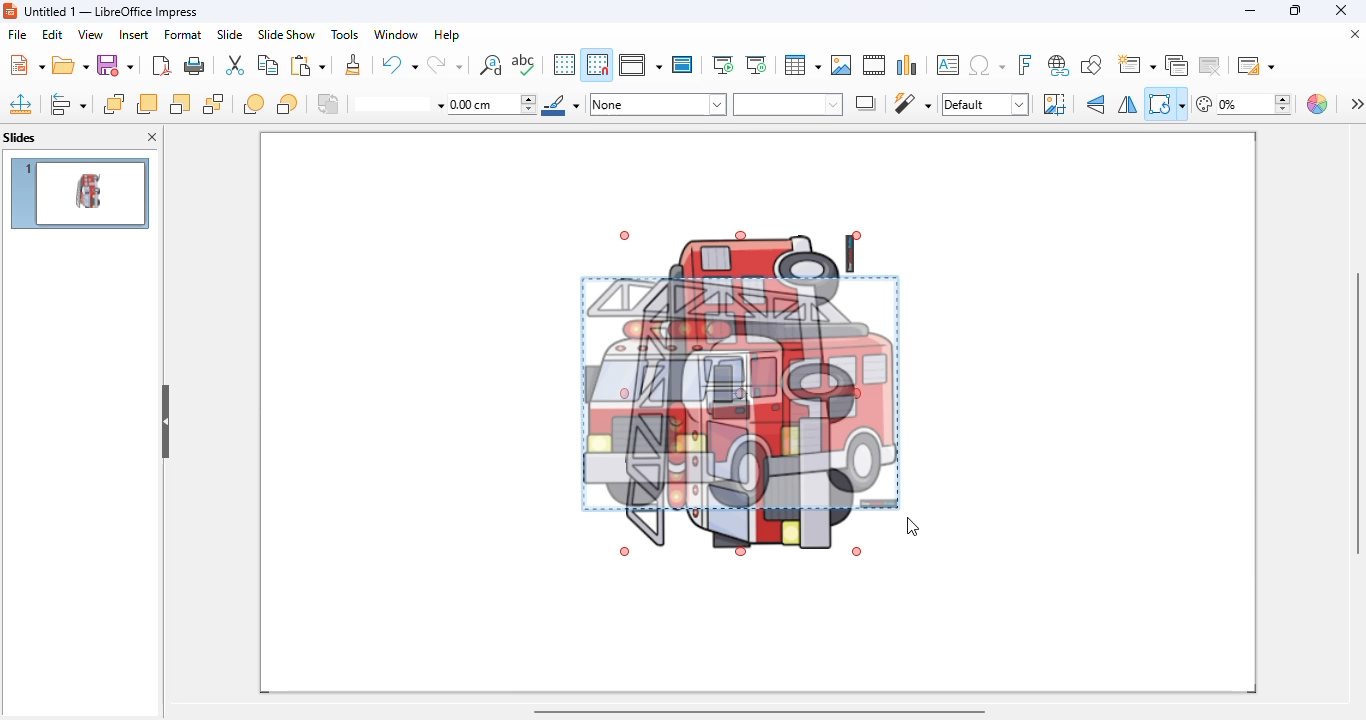  Describe the element at coordinates (286, 34) in the screenshot. I see `slide show` at that location.